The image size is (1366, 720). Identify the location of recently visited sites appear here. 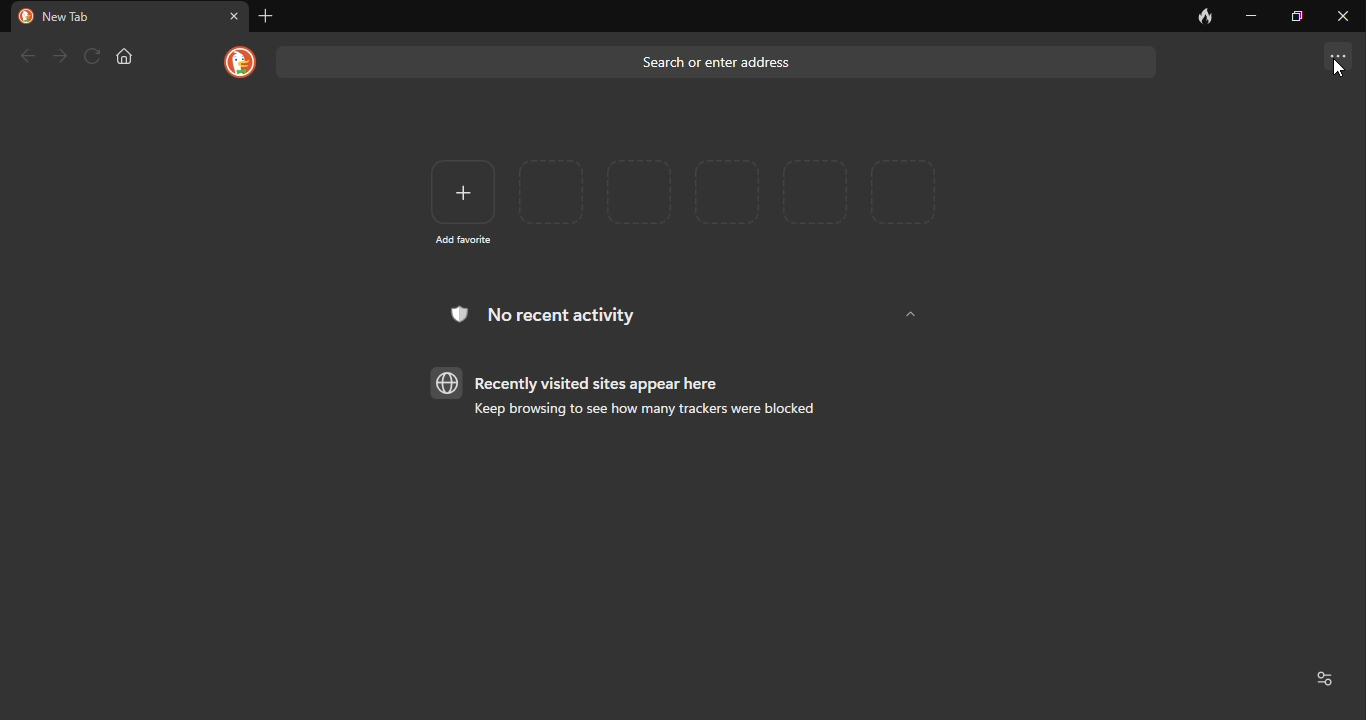
(585, 382).